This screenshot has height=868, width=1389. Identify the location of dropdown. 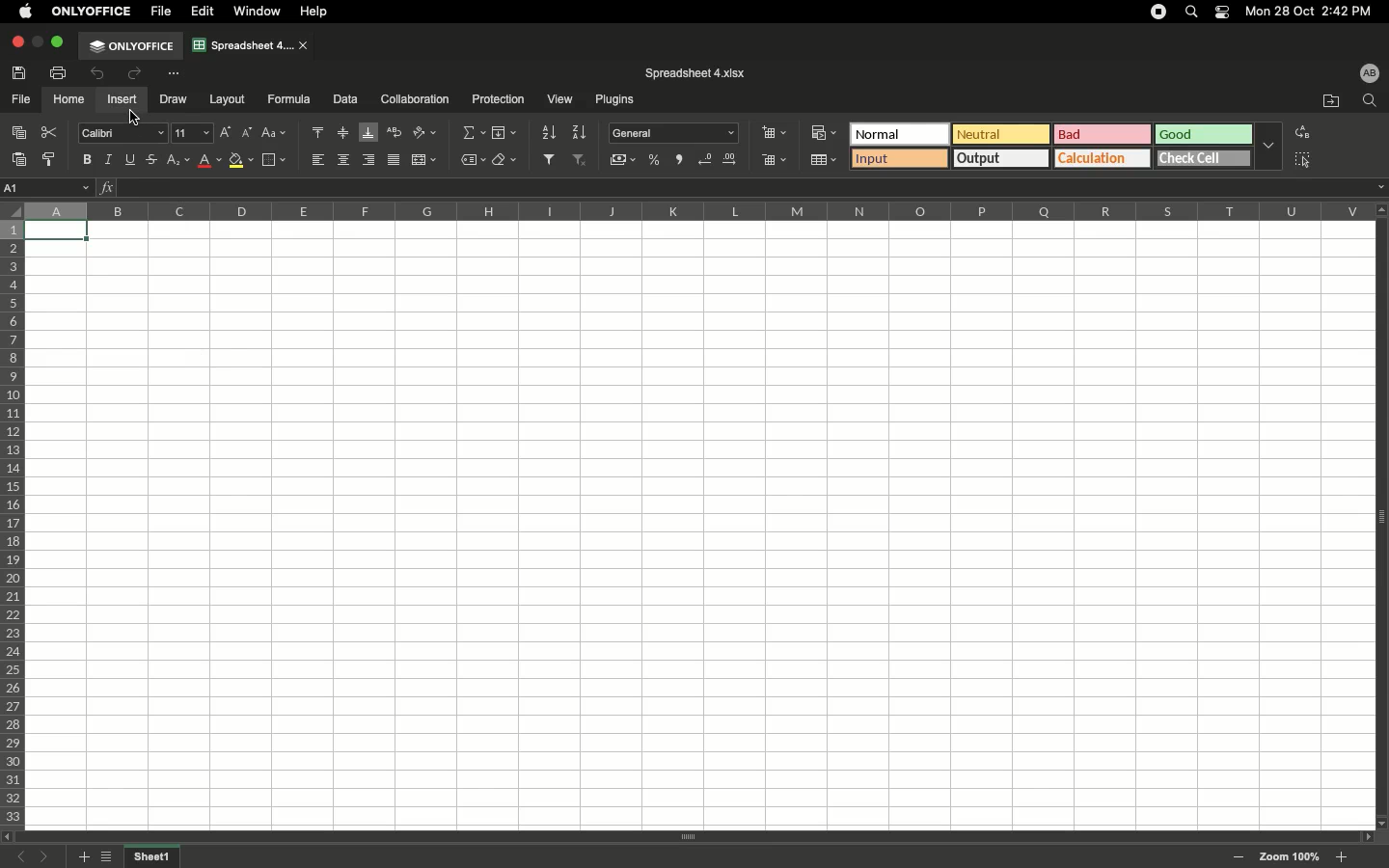
(1380, 187).